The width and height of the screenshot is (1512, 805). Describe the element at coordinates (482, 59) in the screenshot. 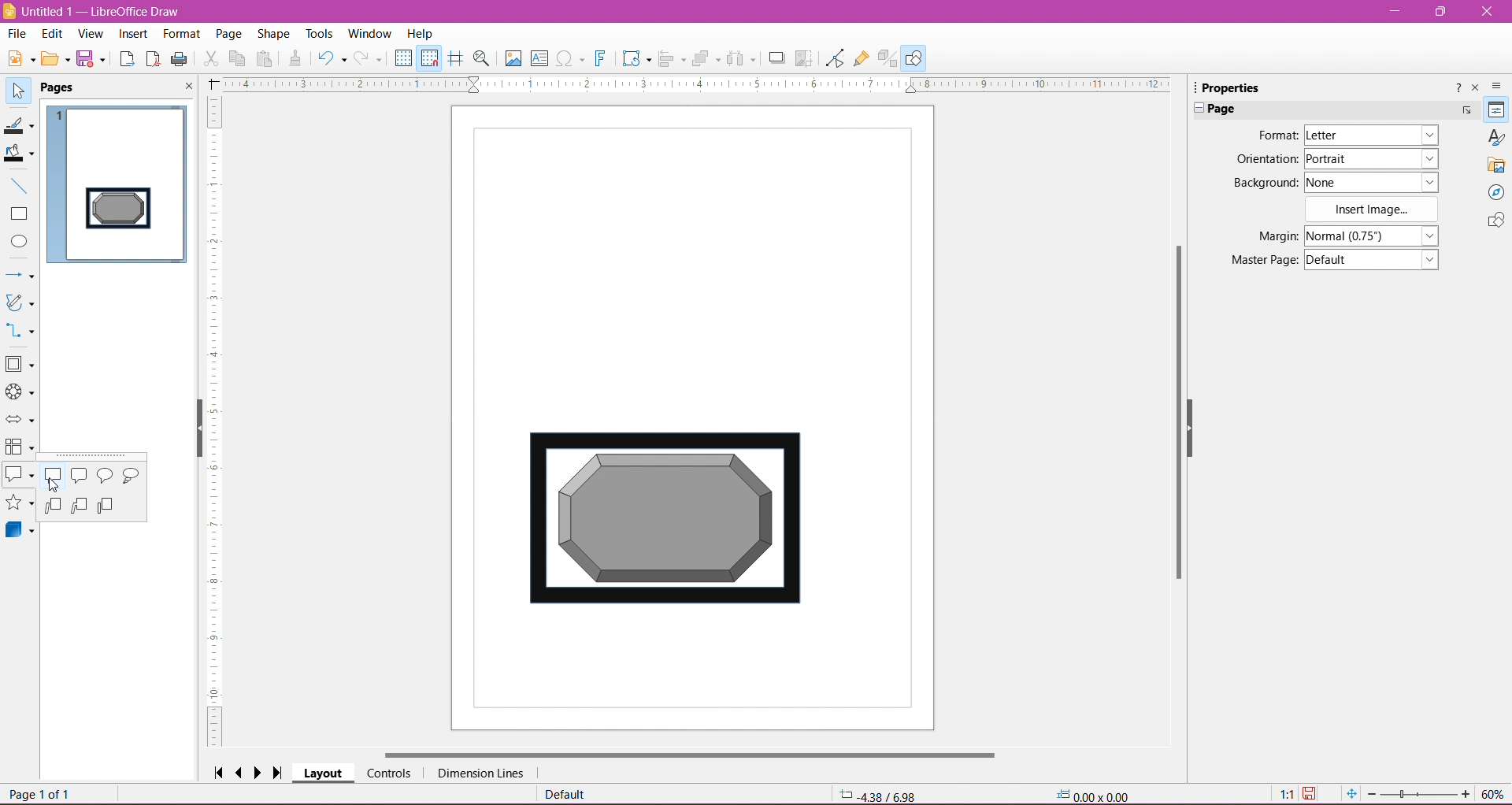

I see `Zoom and Pan` at that location.